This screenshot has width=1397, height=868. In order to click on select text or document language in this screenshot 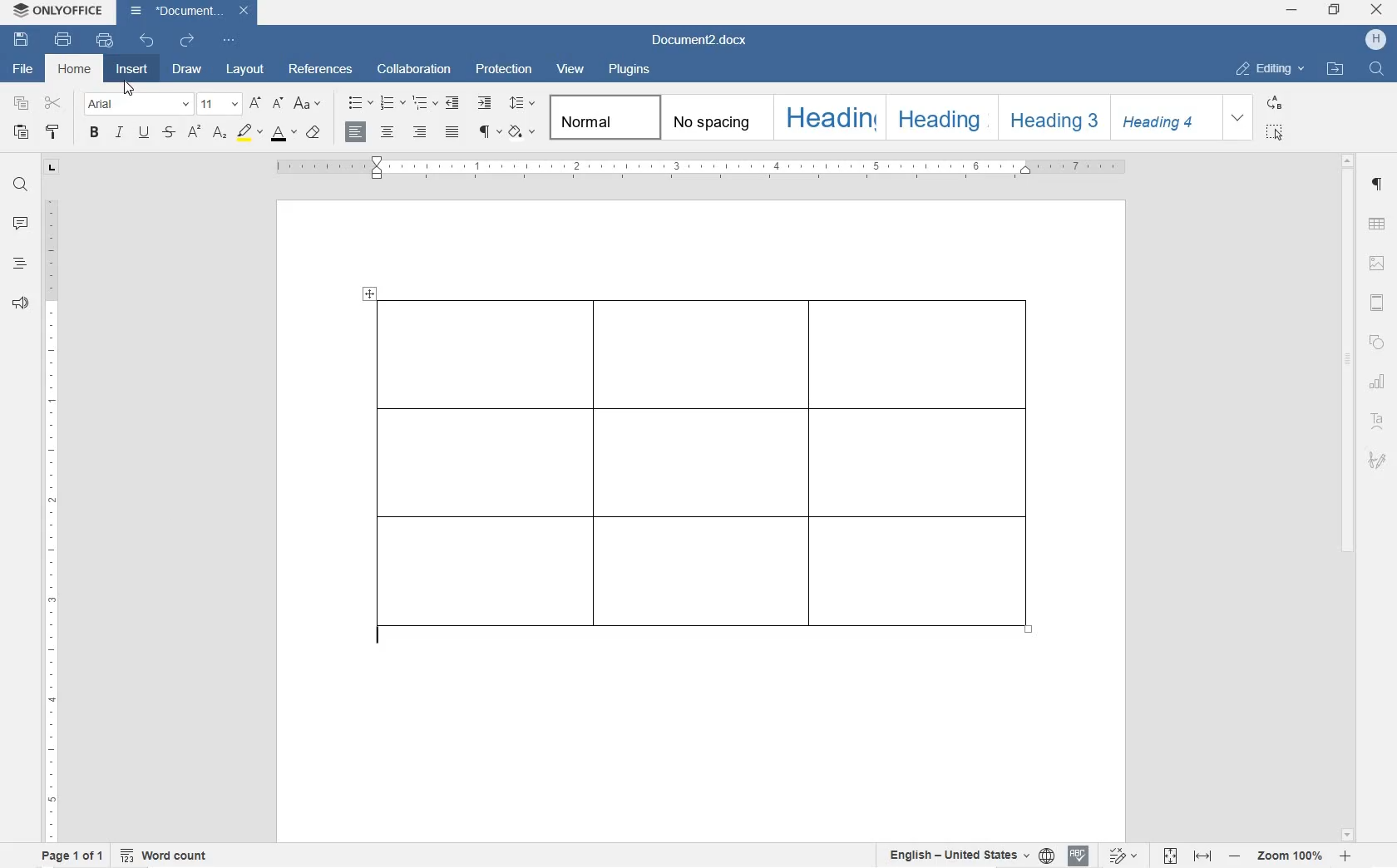, I will do `click(969, 857)`.